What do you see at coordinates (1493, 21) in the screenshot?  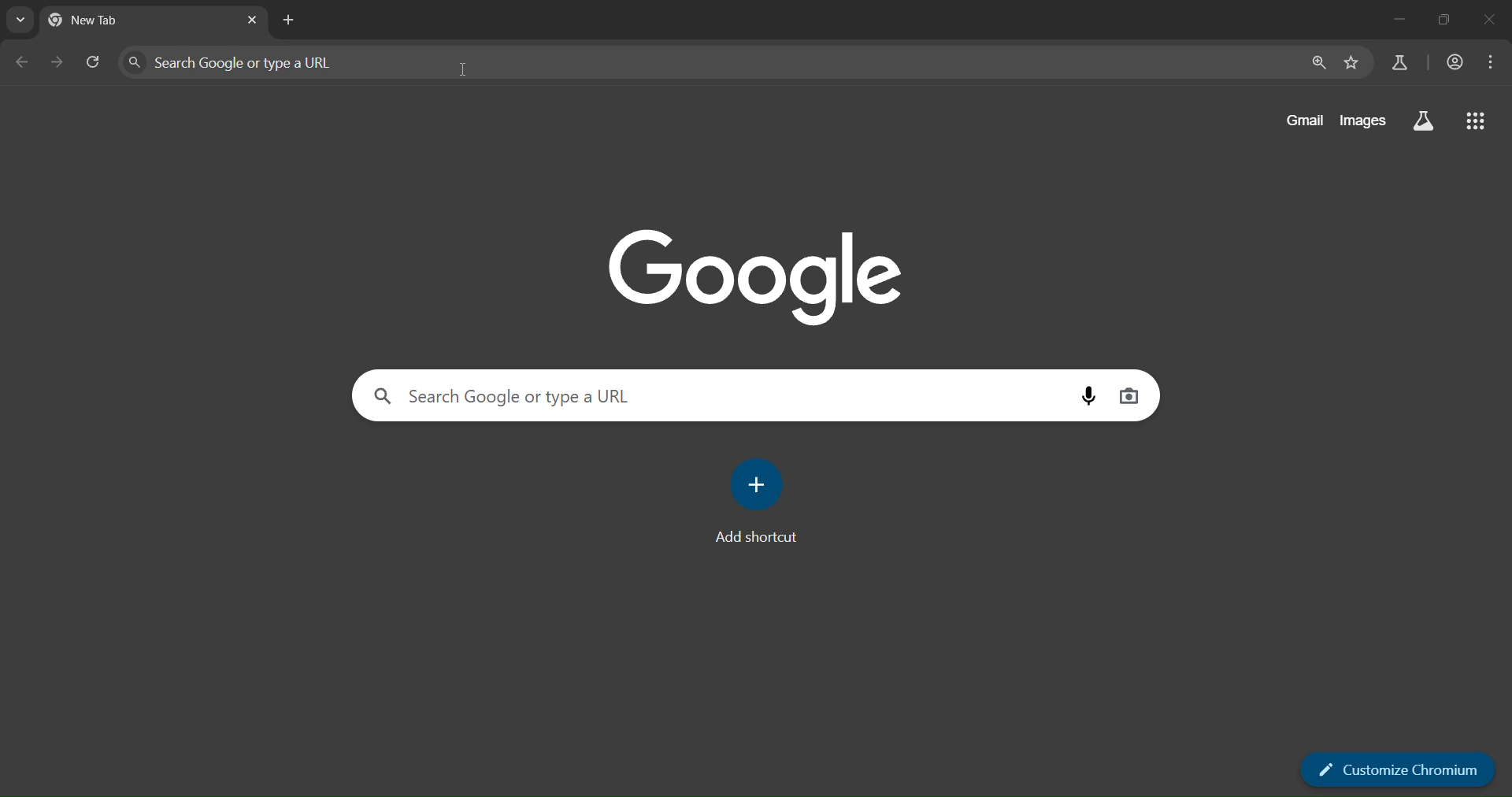 I see `close` at bounding box center [1493, 21].